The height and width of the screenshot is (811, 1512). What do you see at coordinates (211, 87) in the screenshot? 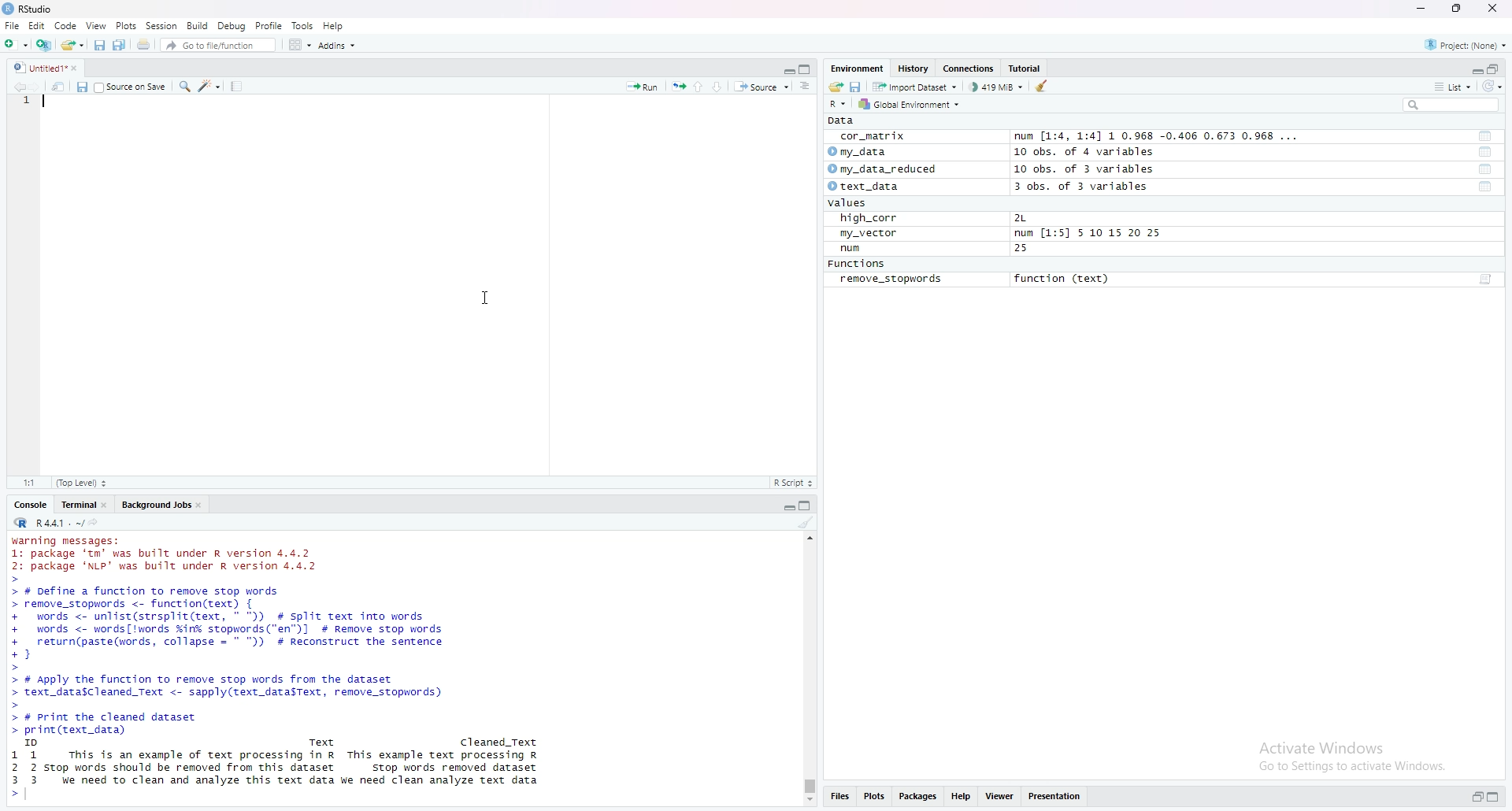
I see `Code tools` at bounding box center [211, 87].